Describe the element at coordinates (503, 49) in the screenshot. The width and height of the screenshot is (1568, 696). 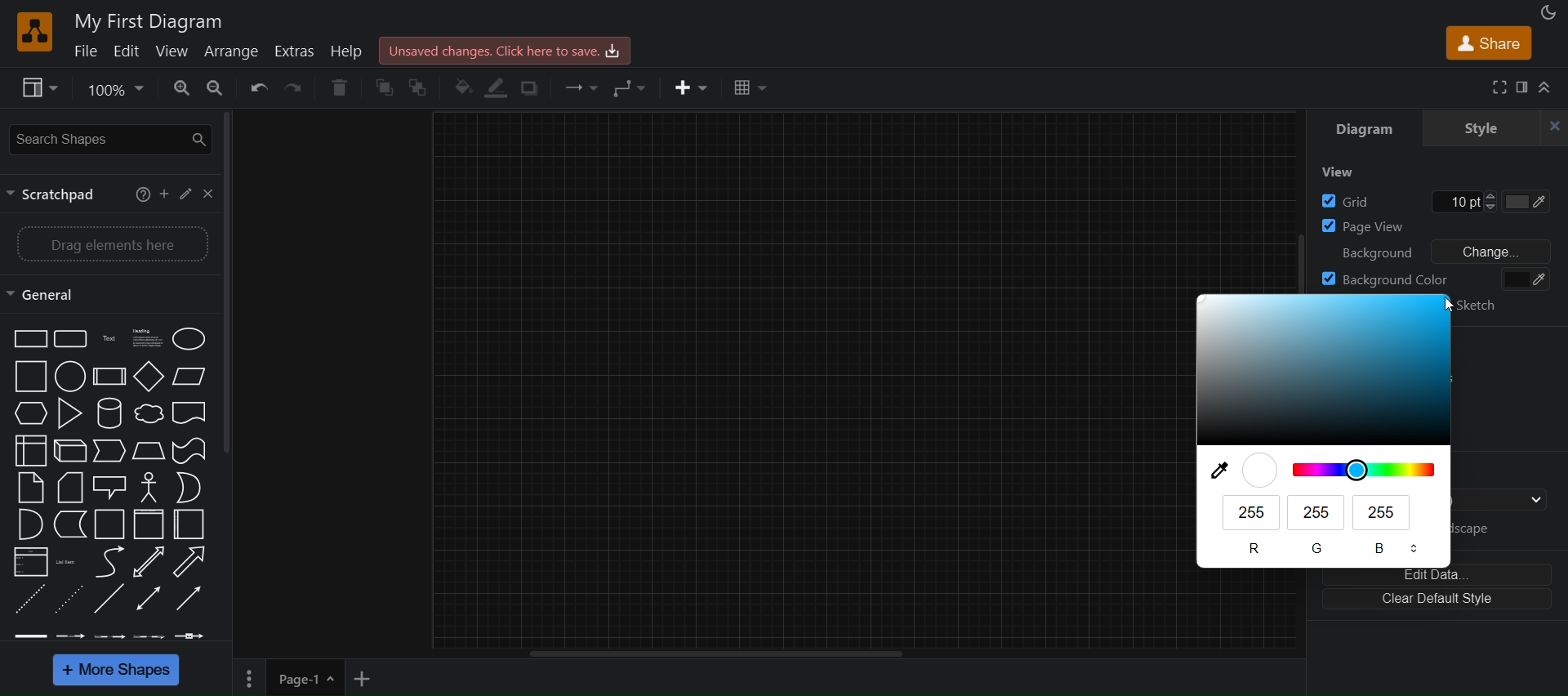
I see `click here to save` at that location.